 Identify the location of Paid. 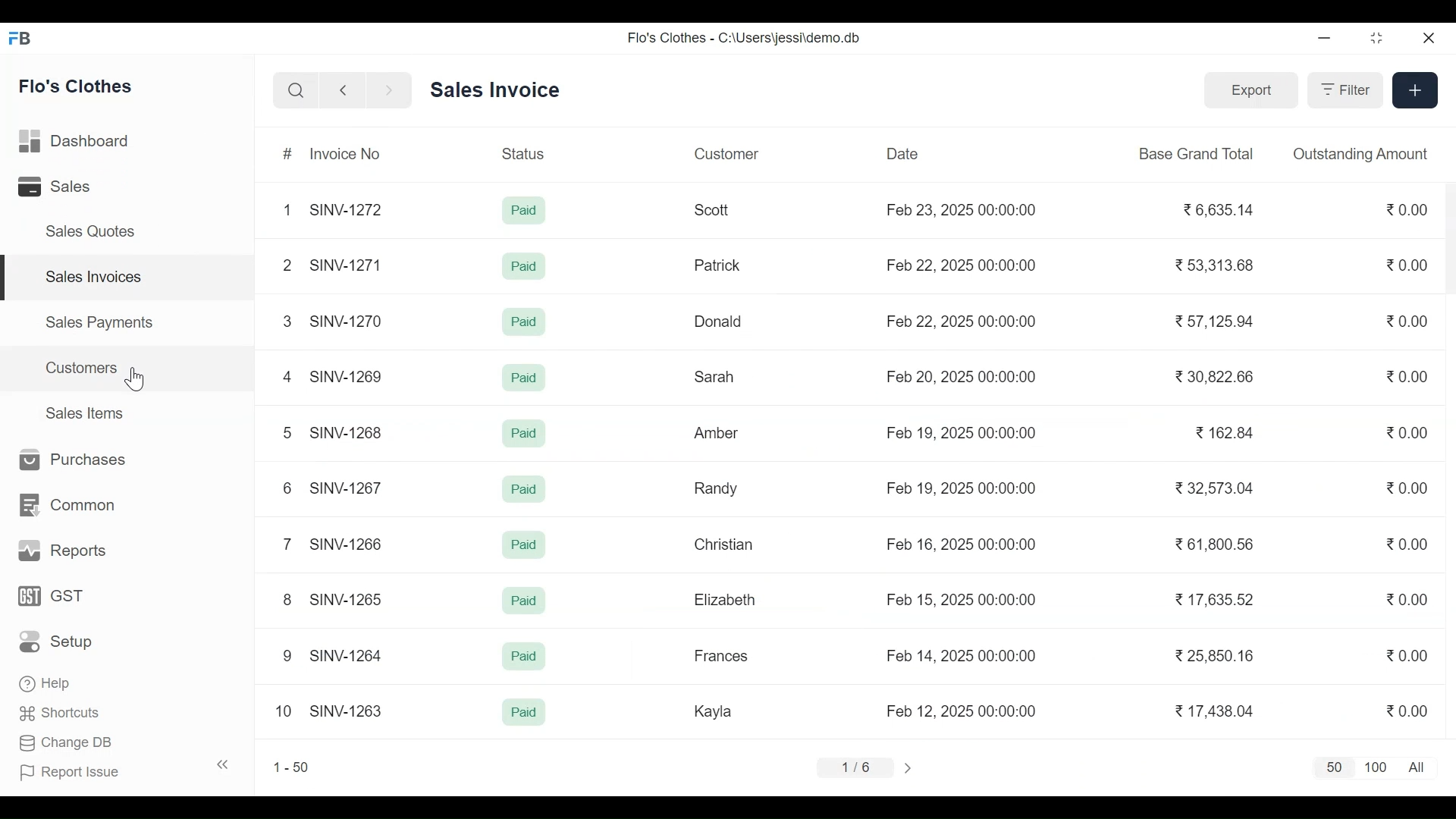
(525, 434).